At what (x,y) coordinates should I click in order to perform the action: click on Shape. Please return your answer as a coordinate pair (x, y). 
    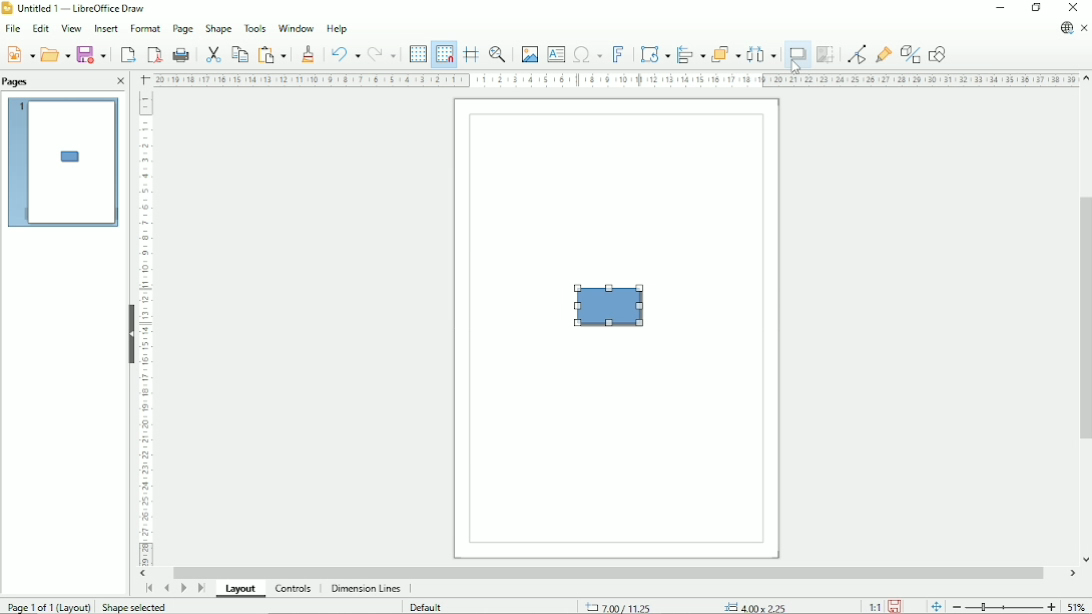
    Looking at the image, I should click on (612, 306).